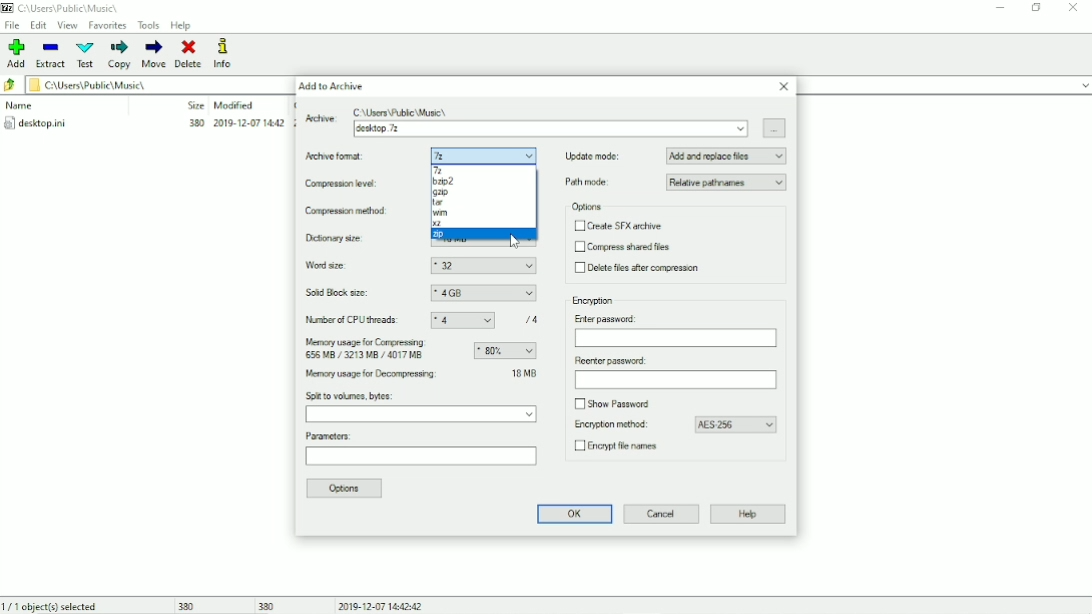 The image size is (1092, 614). Describe the element at coordinates (68, 25) in the screenshot. I see `View` at that location.